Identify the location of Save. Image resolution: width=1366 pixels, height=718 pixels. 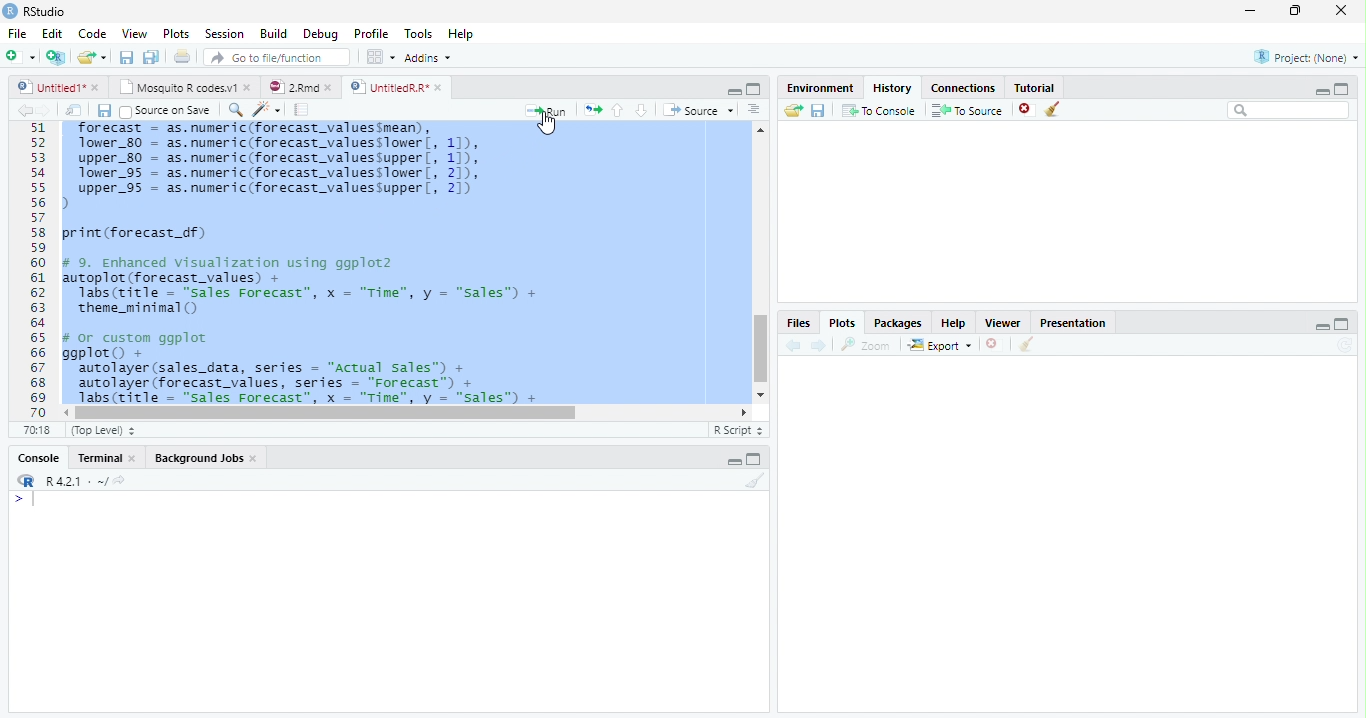
(125, 56).